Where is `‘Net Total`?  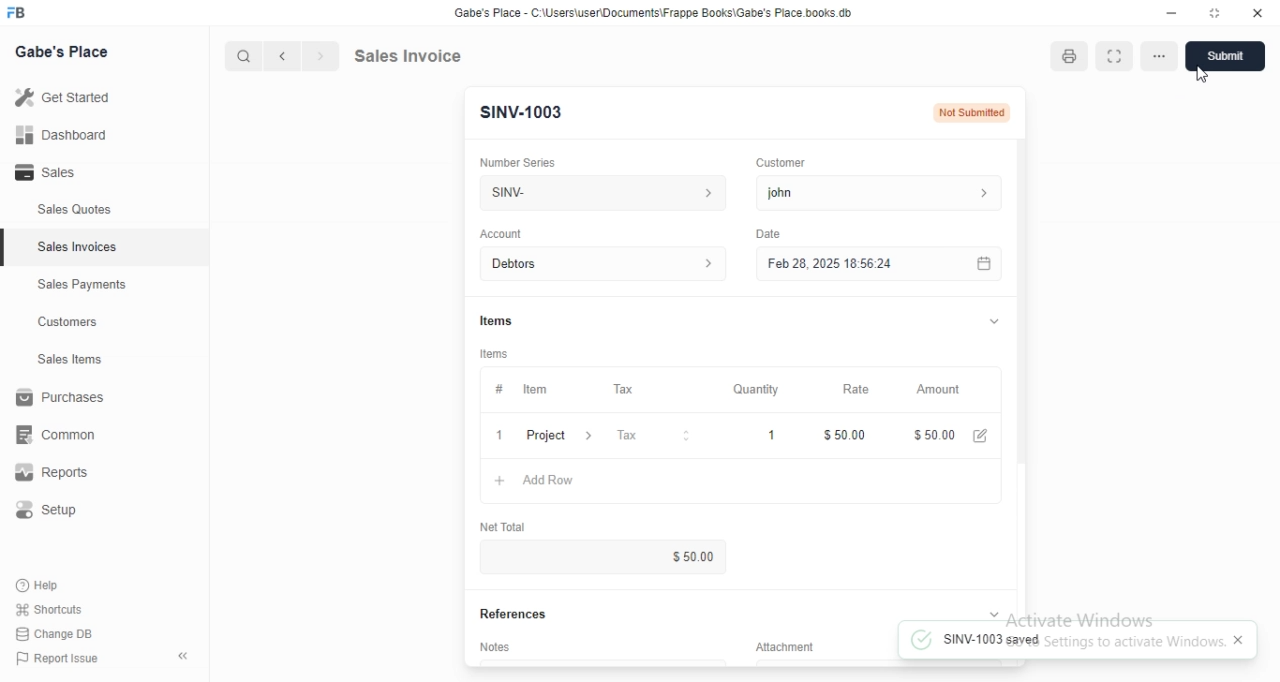
‘Net Total is located at coordinates (511, 524).